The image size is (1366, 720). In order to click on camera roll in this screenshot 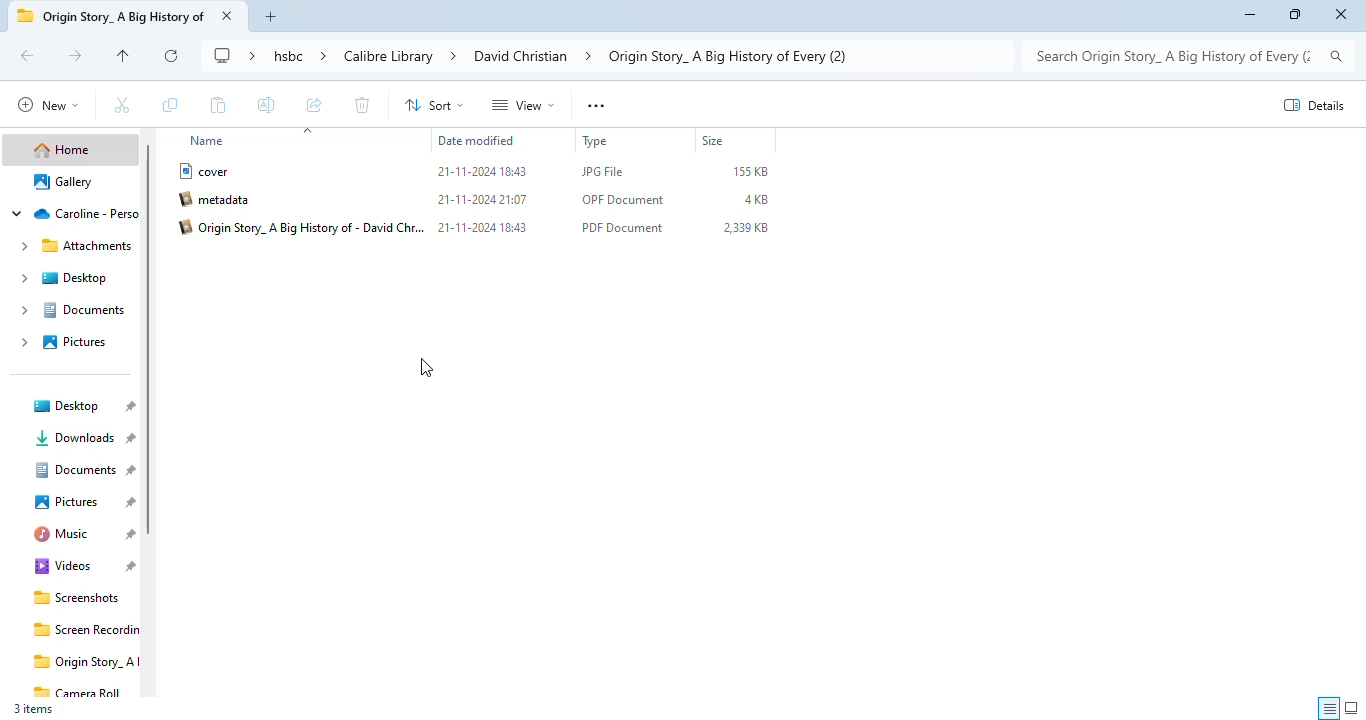, I will do `click(79, 693)`.